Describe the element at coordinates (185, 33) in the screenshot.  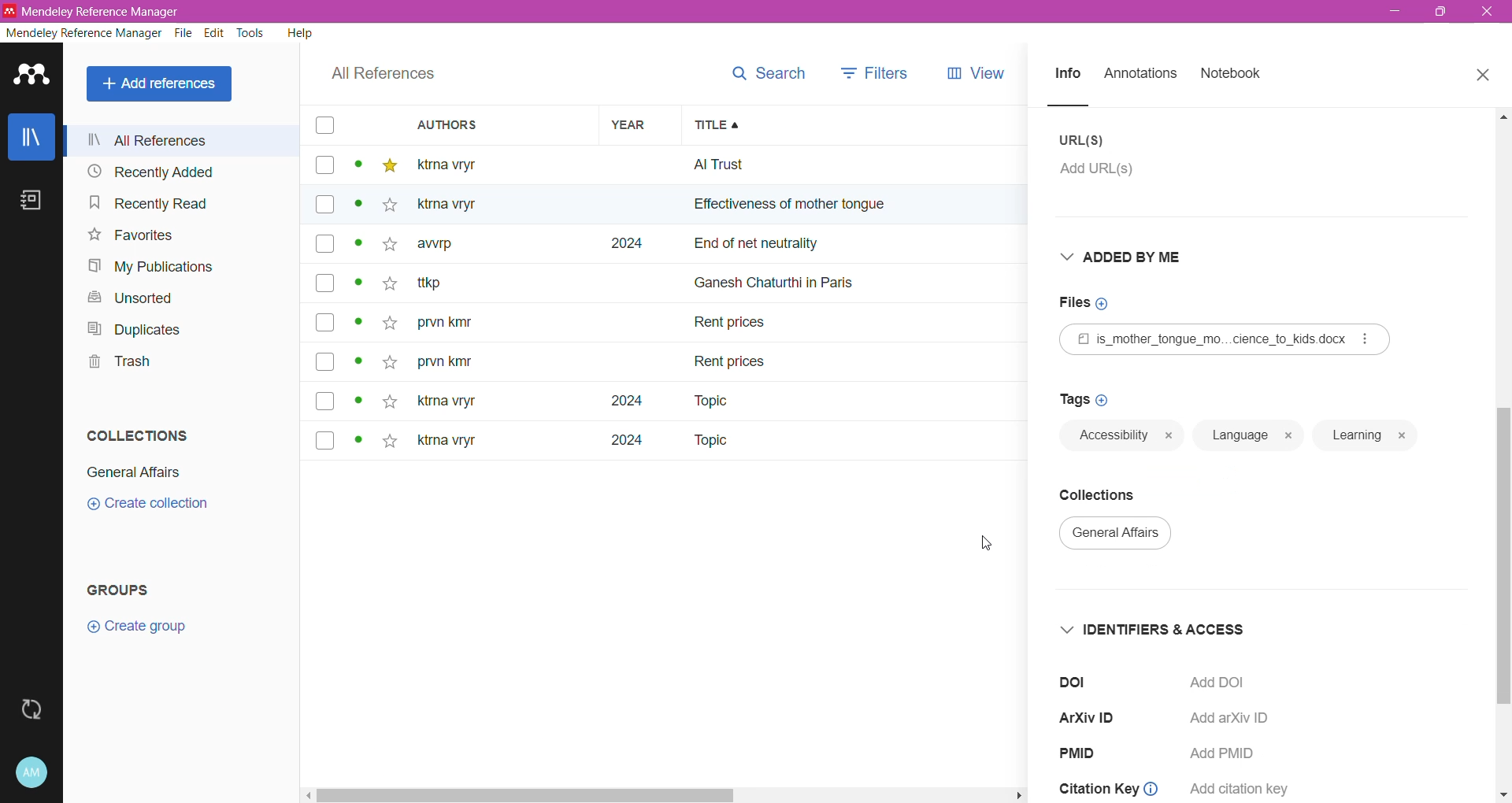
I see `File` at that location.